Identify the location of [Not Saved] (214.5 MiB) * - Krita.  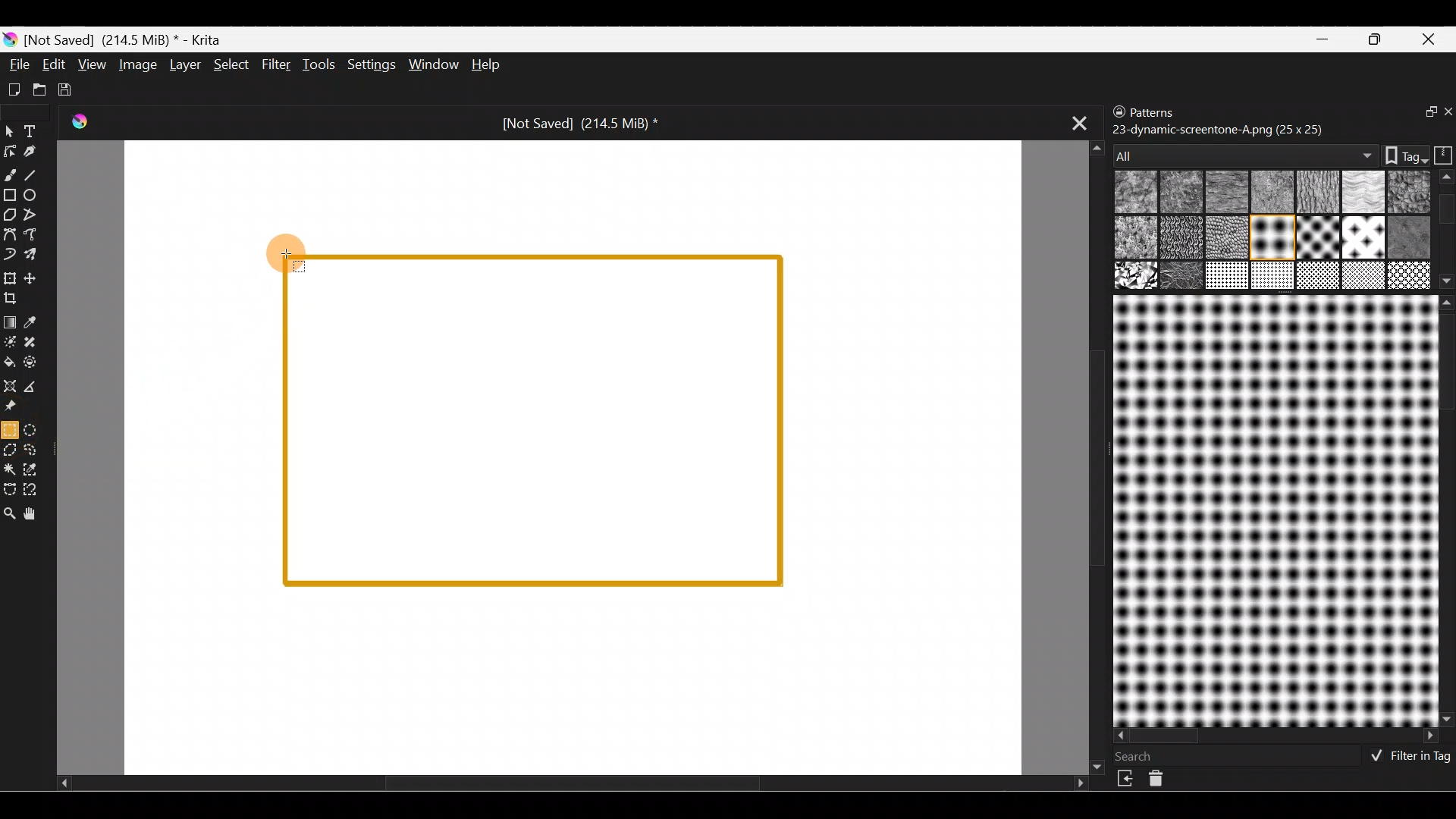
(129, 40).